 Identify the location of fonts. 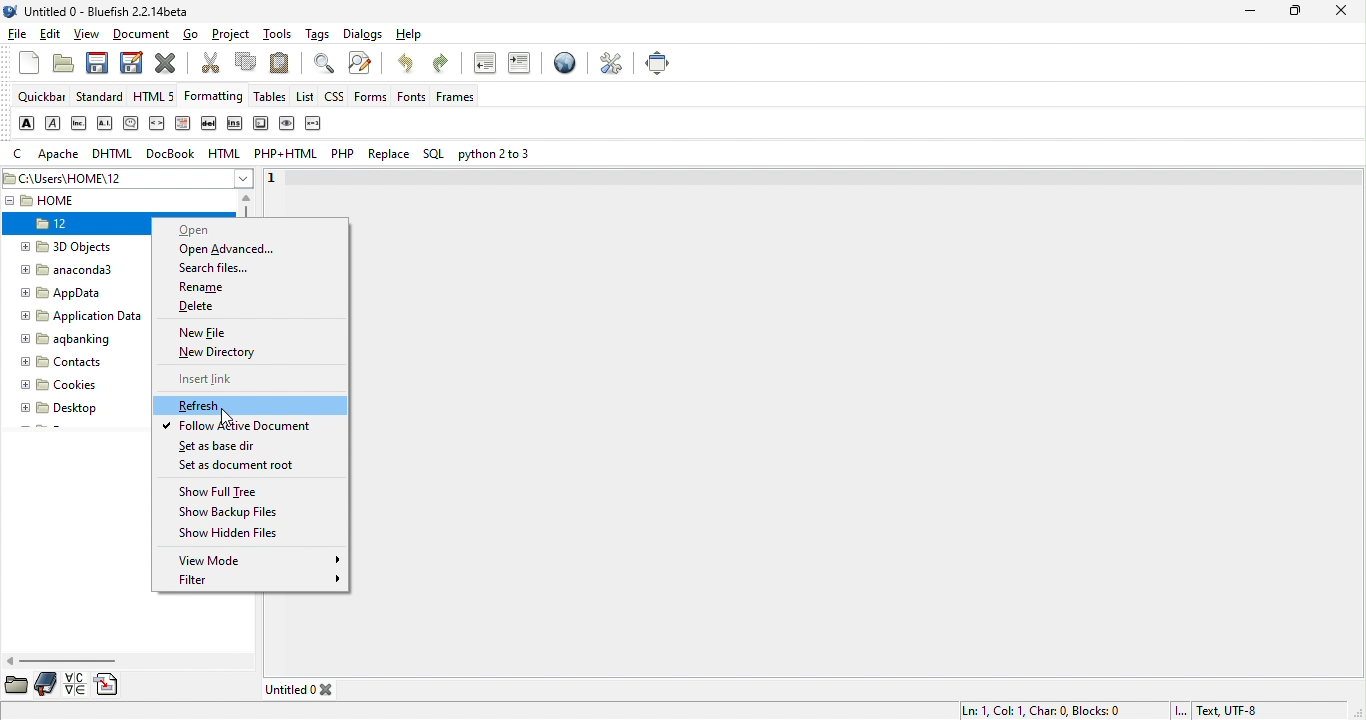
(415, 98).